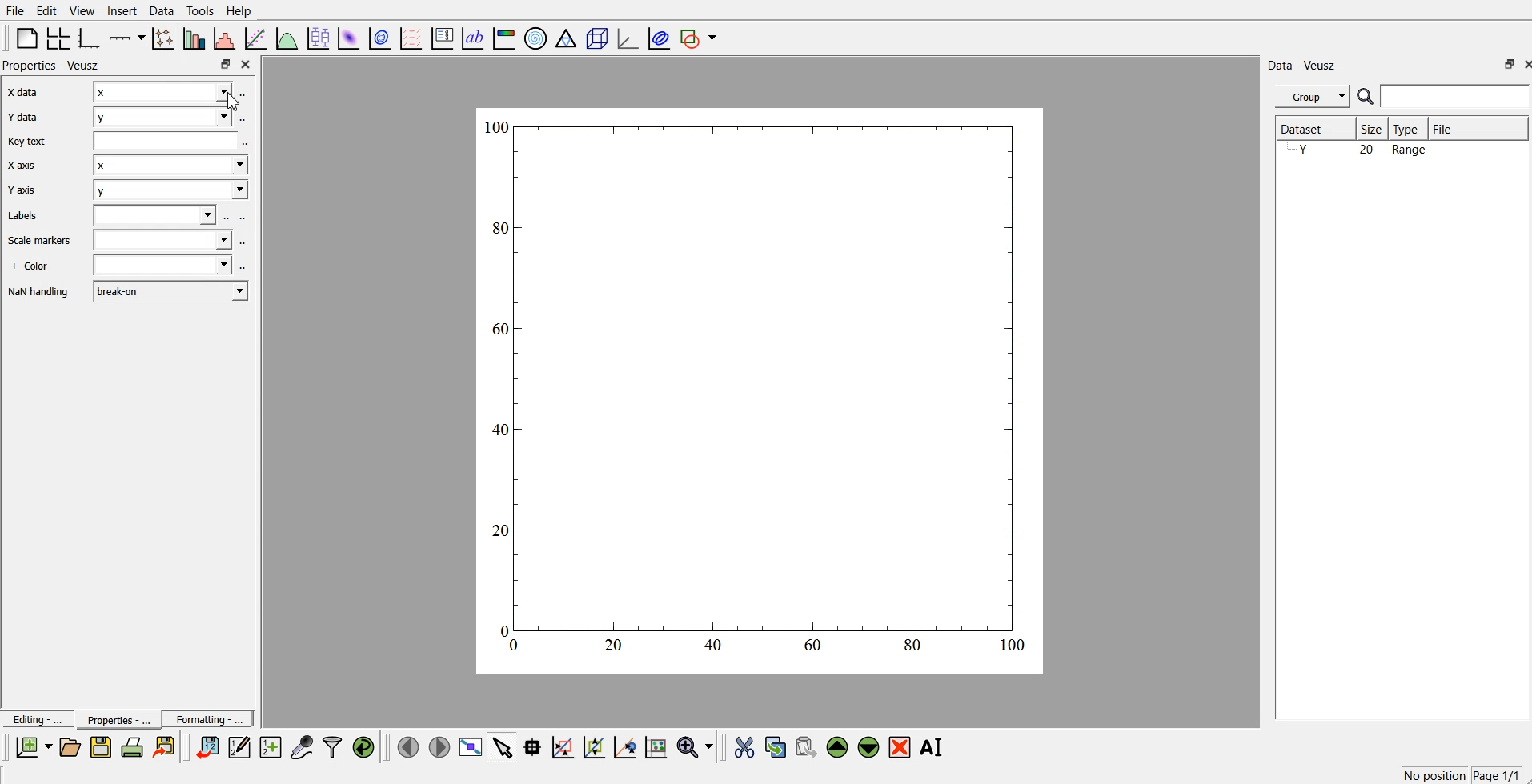 This screenshot has width=1532, height=784. What do you see at coordinates (41, 293) in the screenshot?
I see `| Nott handing` at bounding box center [41, 293].